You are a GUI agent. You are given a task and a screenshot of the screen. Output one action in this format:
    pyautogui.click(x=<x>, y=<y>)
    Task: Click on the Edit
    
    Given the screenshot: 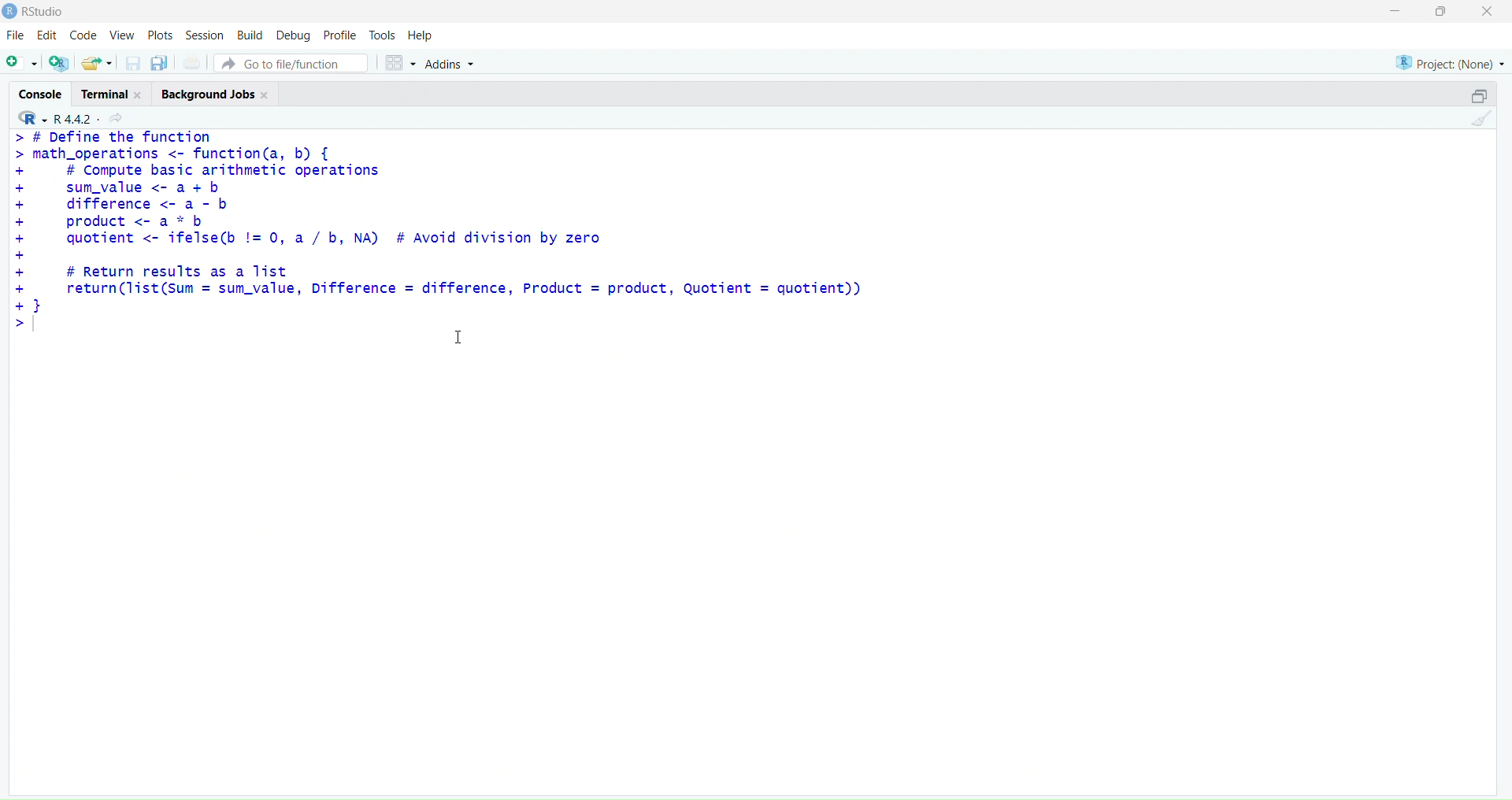 What is the action you would take?
    pyautogui.click(x=43, y=37)
    